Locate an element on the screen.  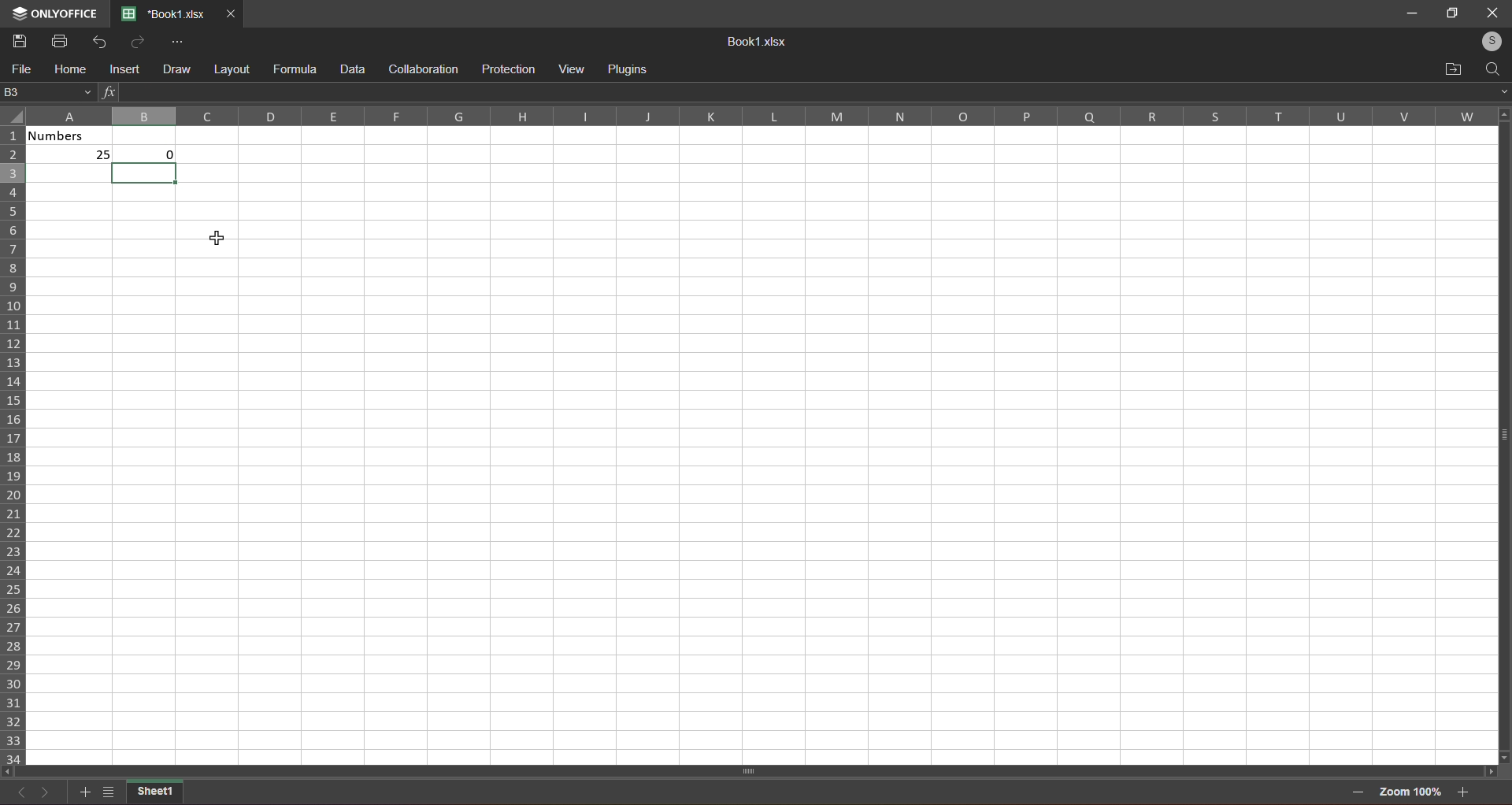
data is located at coordinates (350, 69).